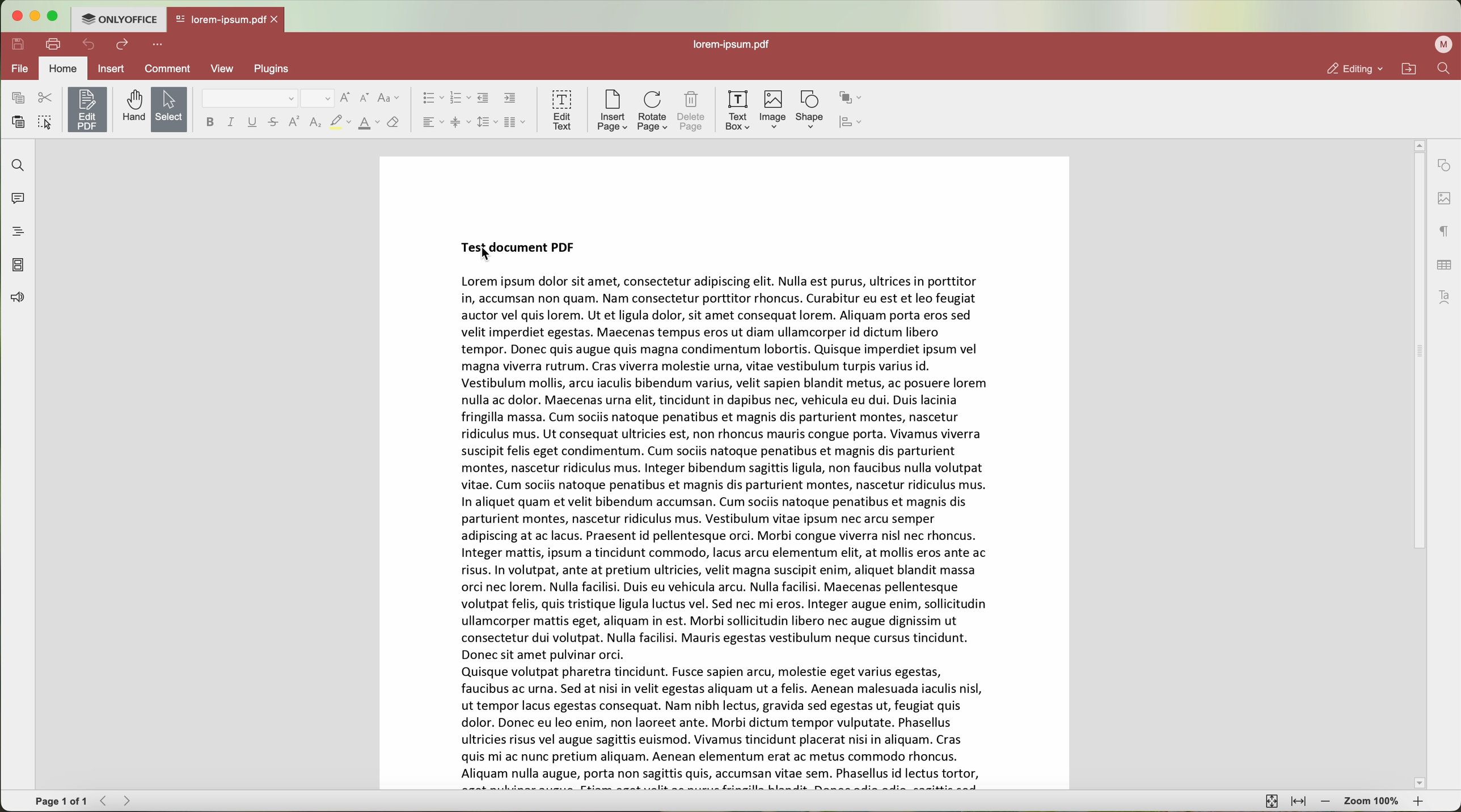  Describe the element at coordinates (123, 45) in the screenshot. I see `redo` at that location.